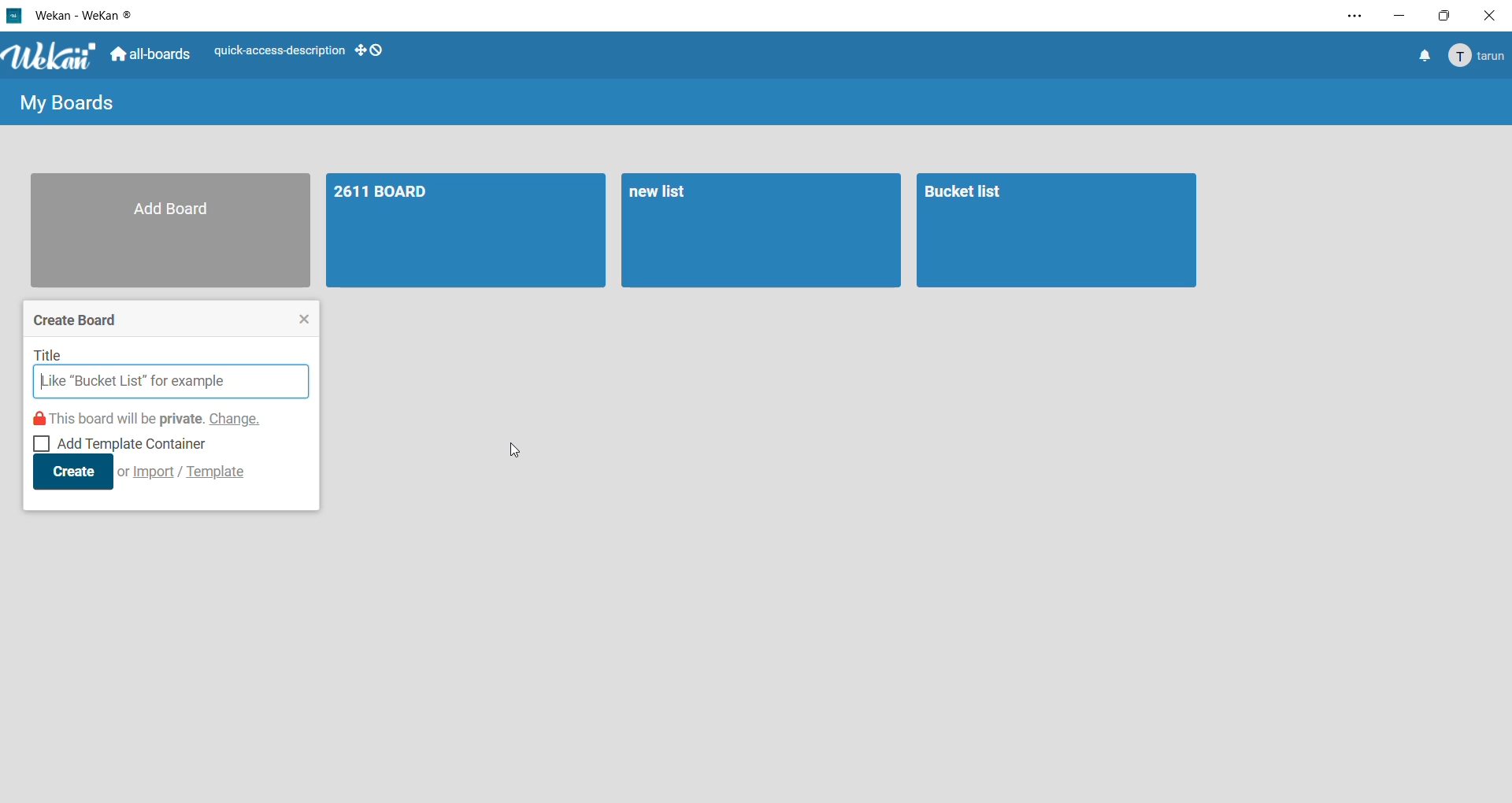 The image size is (1512, 803). Describe the element at coordinates (762, 232) in the screenshot. I see `board 2` at that location.